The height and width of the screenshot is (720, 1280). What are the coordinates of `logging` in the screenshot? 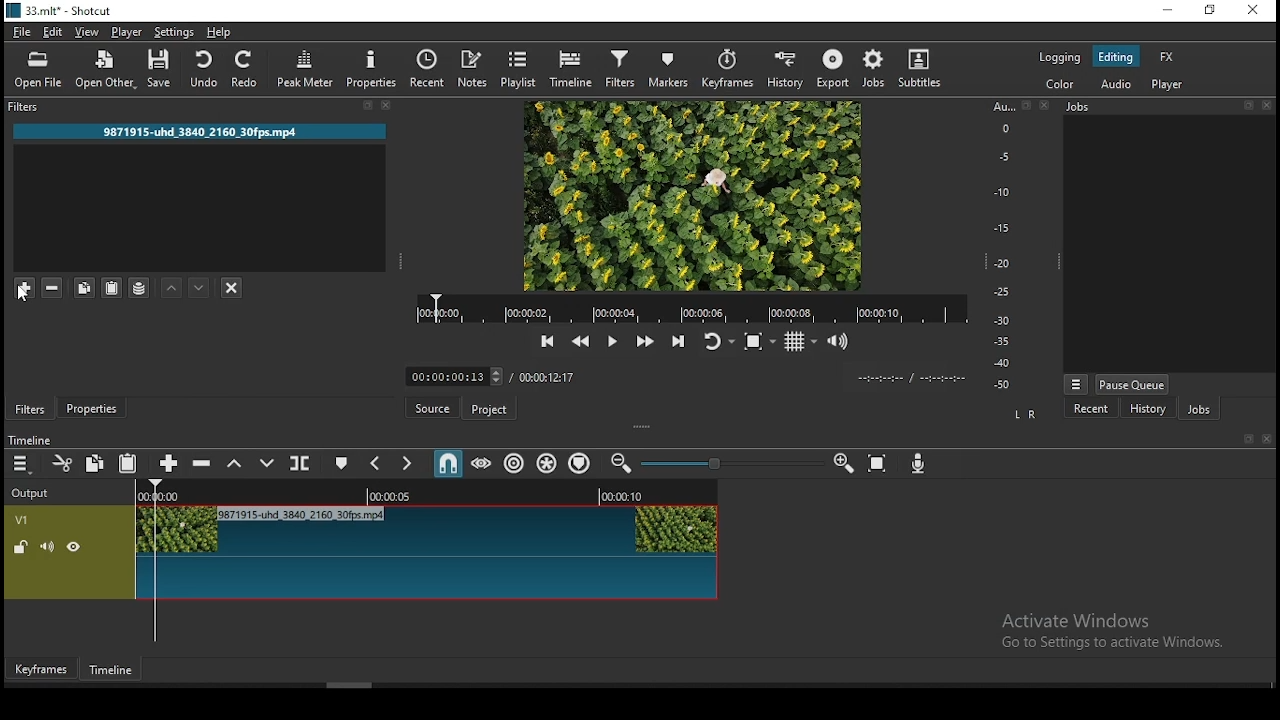 It's located at (1059, 58).